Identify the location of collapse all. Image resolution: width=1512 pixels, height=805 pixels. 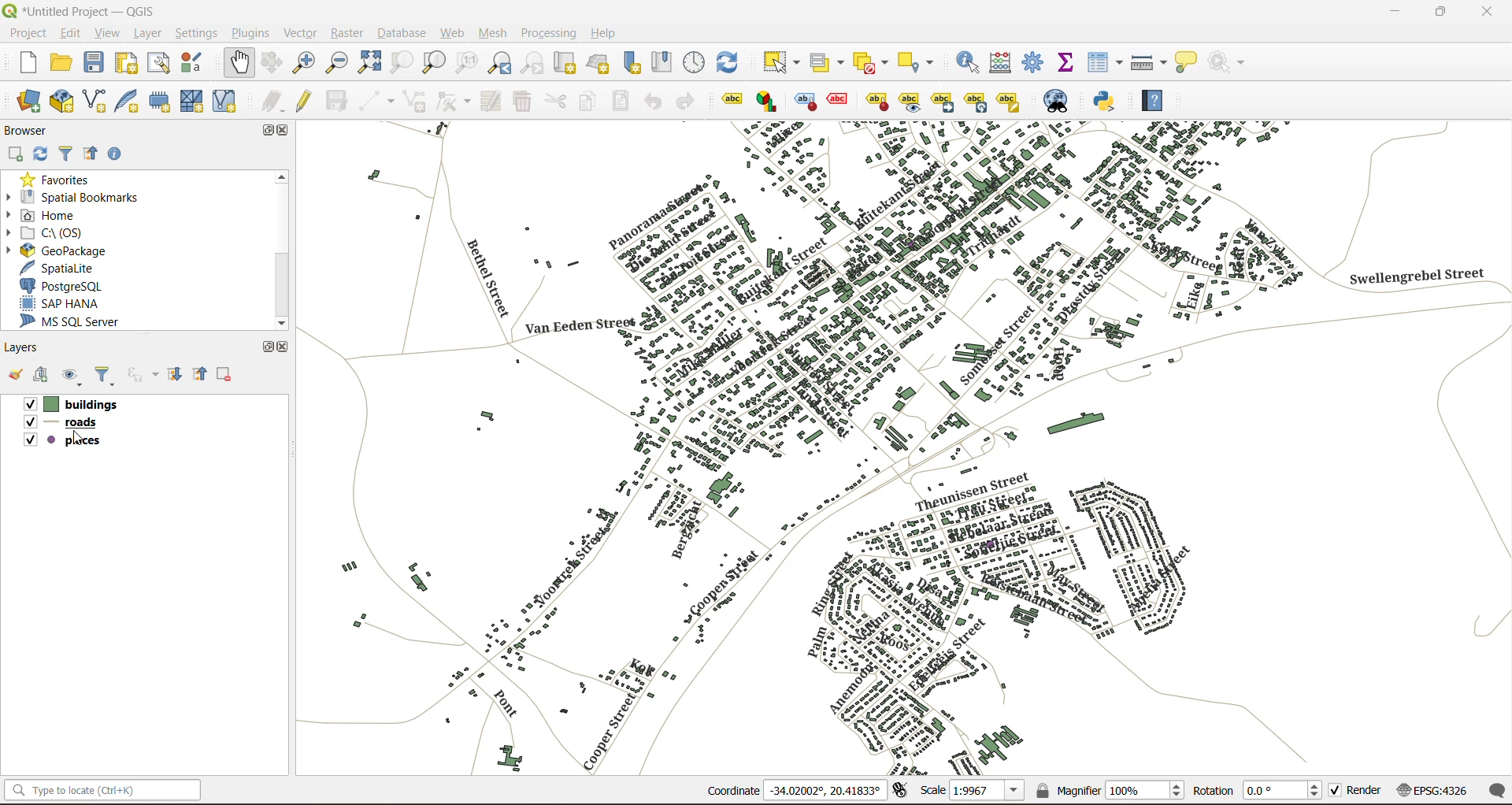
(91, 153).